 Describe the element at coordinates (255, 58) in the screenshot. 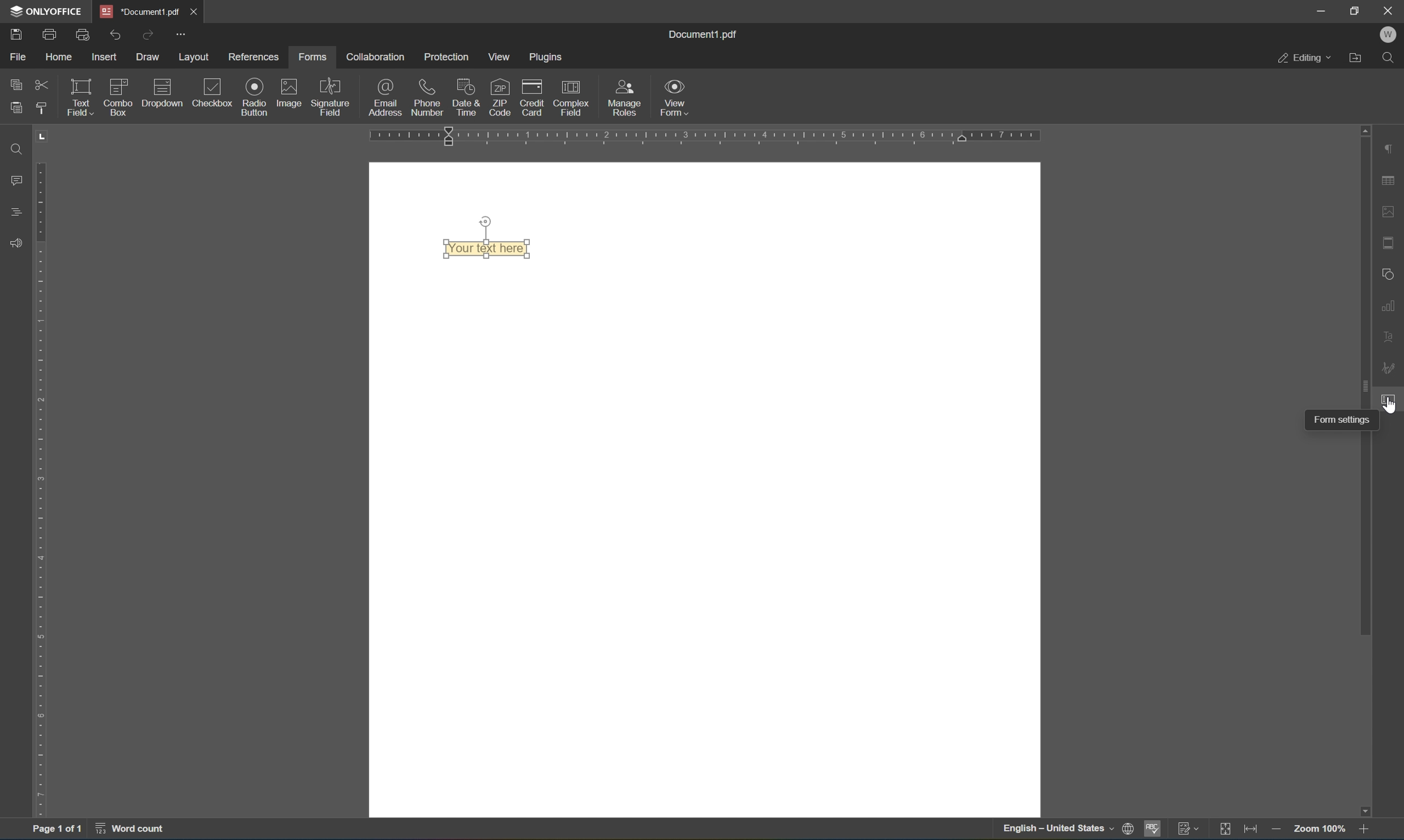

I see `references` at that location.